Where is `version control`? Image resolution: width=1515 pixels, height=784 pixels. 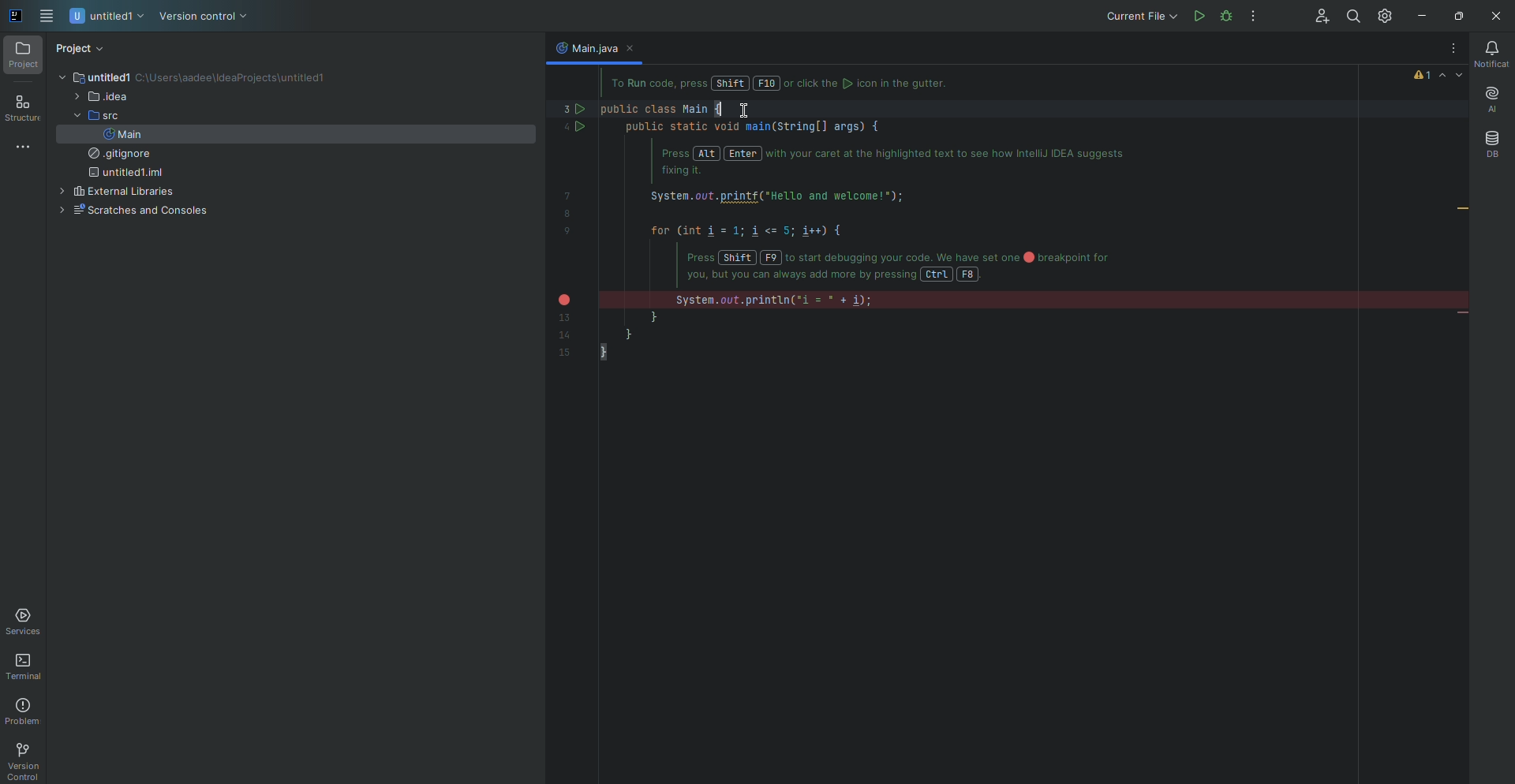 version control is located at coordinates (28, 757).